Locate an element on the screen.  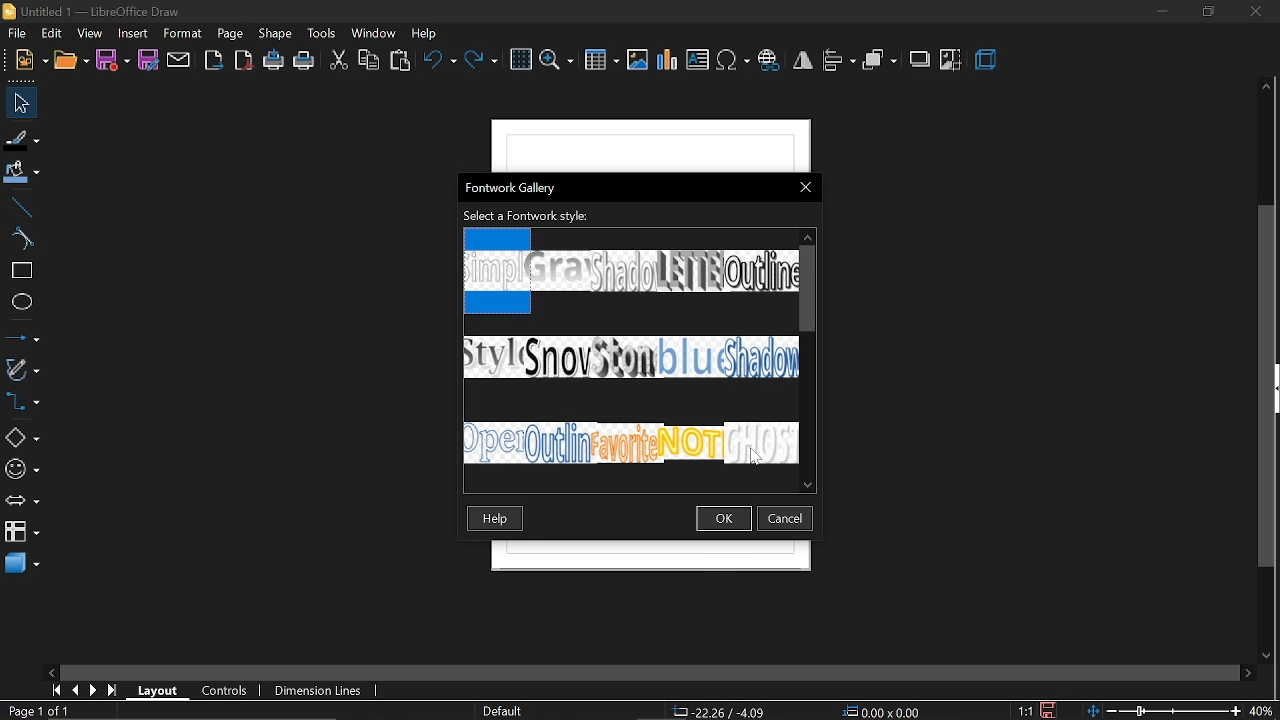
Default is located at coordinates (503, 712).